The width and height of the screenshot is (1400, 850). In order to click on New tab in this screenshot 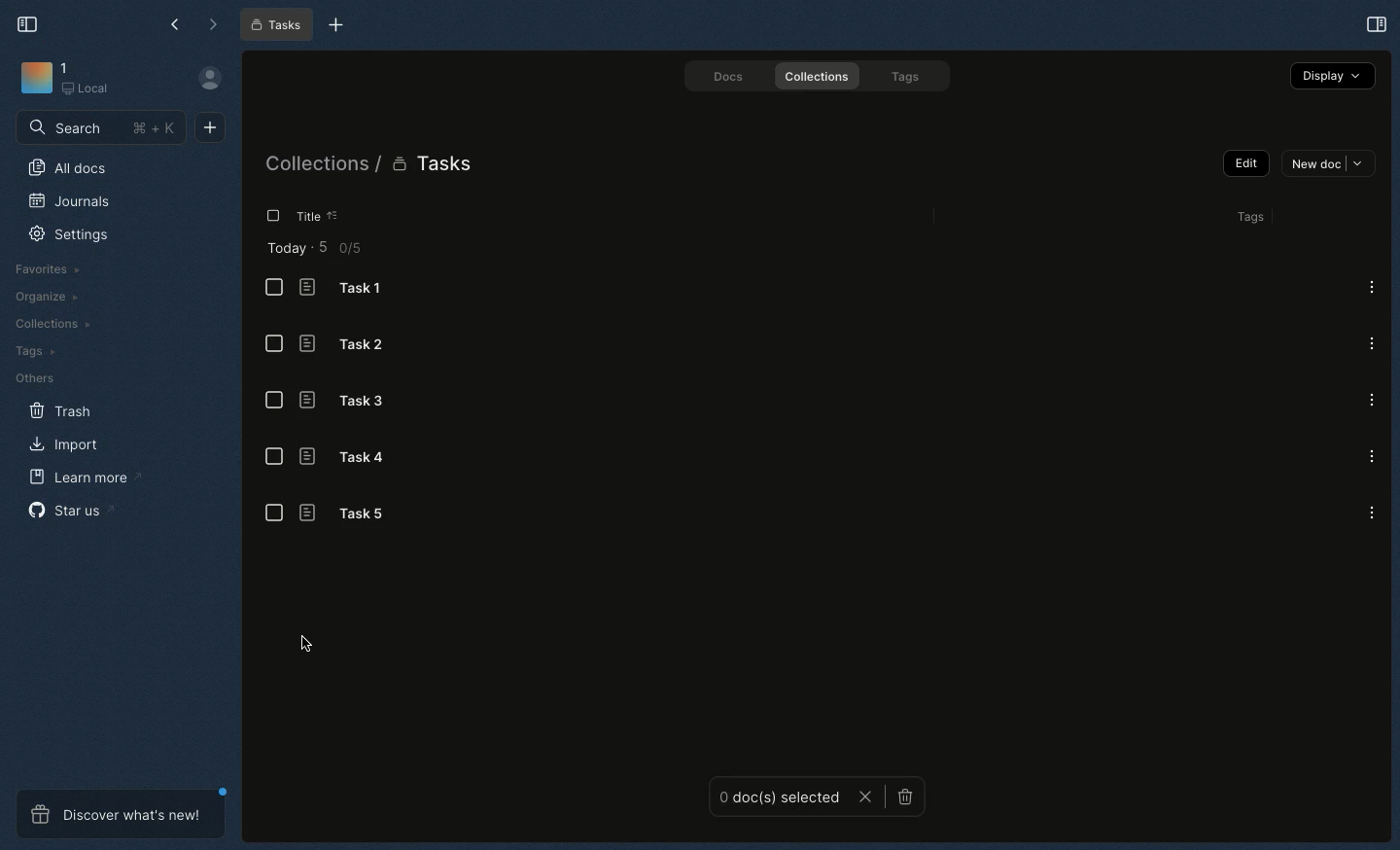, I will do `click(336, 26)`.